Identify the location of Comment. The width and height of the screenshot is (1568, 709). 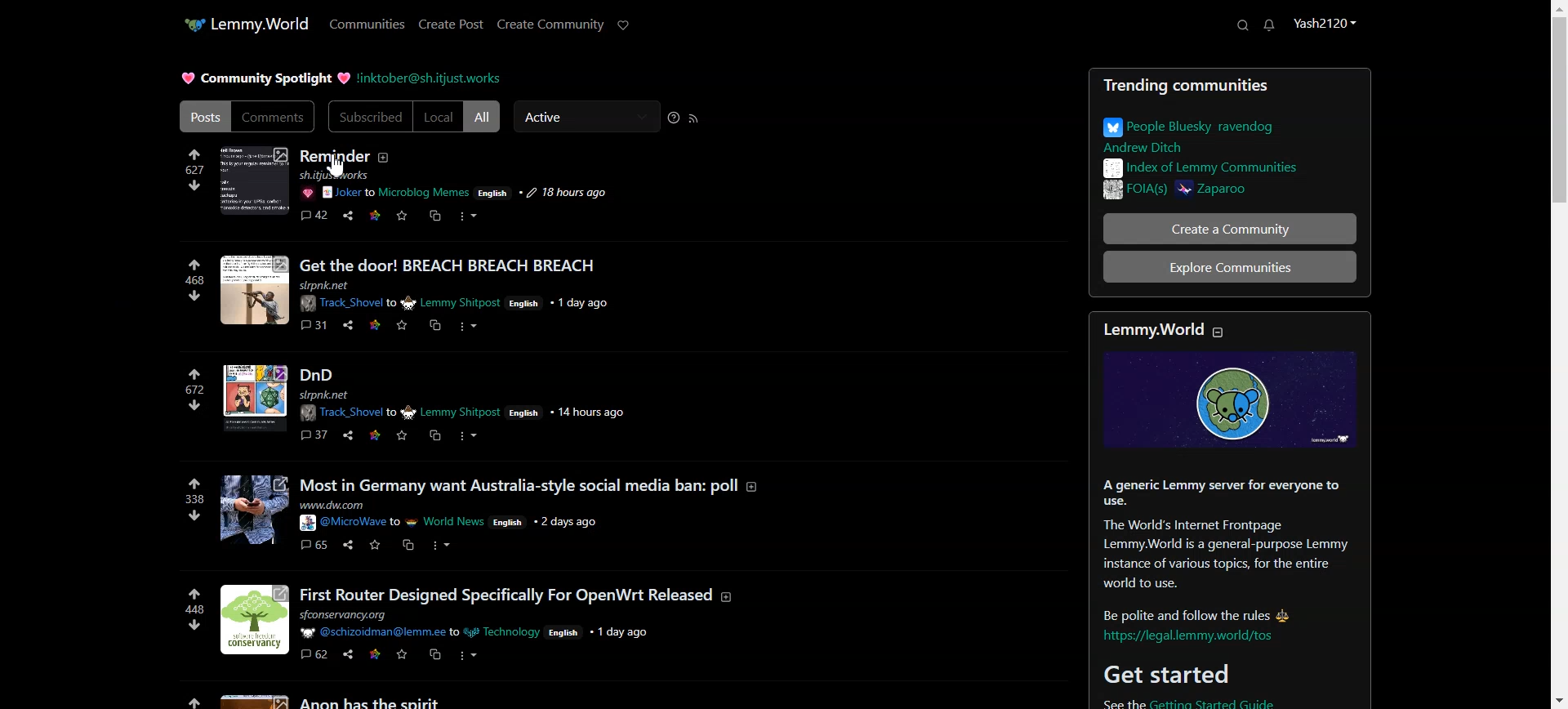
(314, 215).